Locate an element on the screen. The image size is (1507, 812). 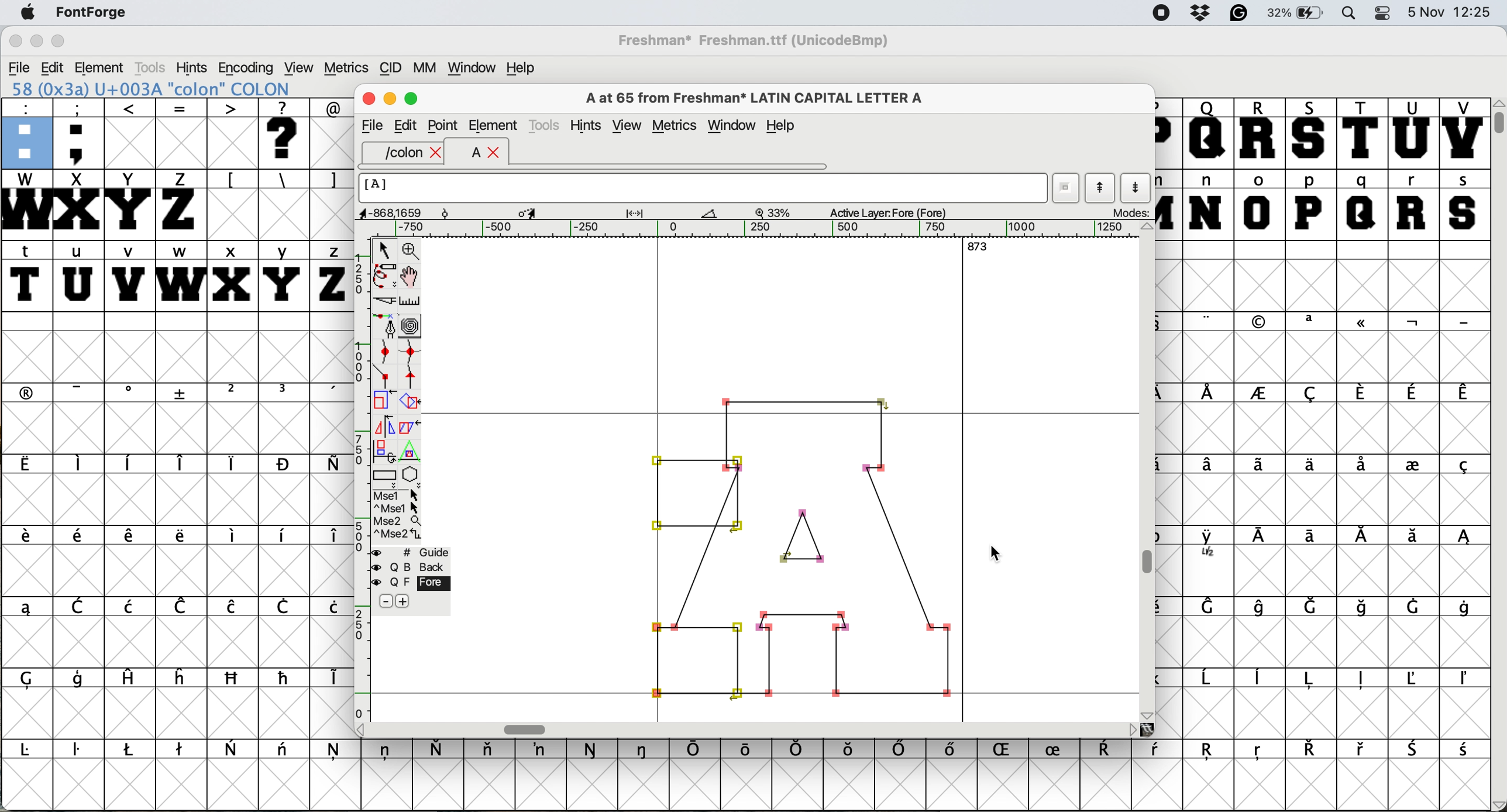
add a comer point is located at coordinates (383, 377).